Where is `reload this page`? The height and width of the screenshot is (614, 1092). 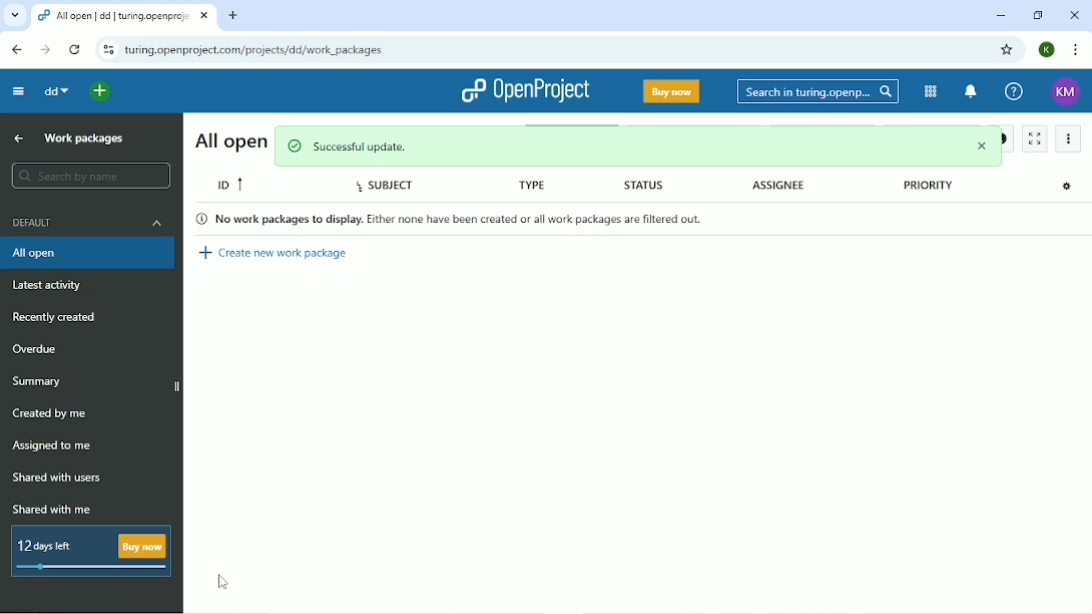
reload this page is located at coordinates (76, 50).